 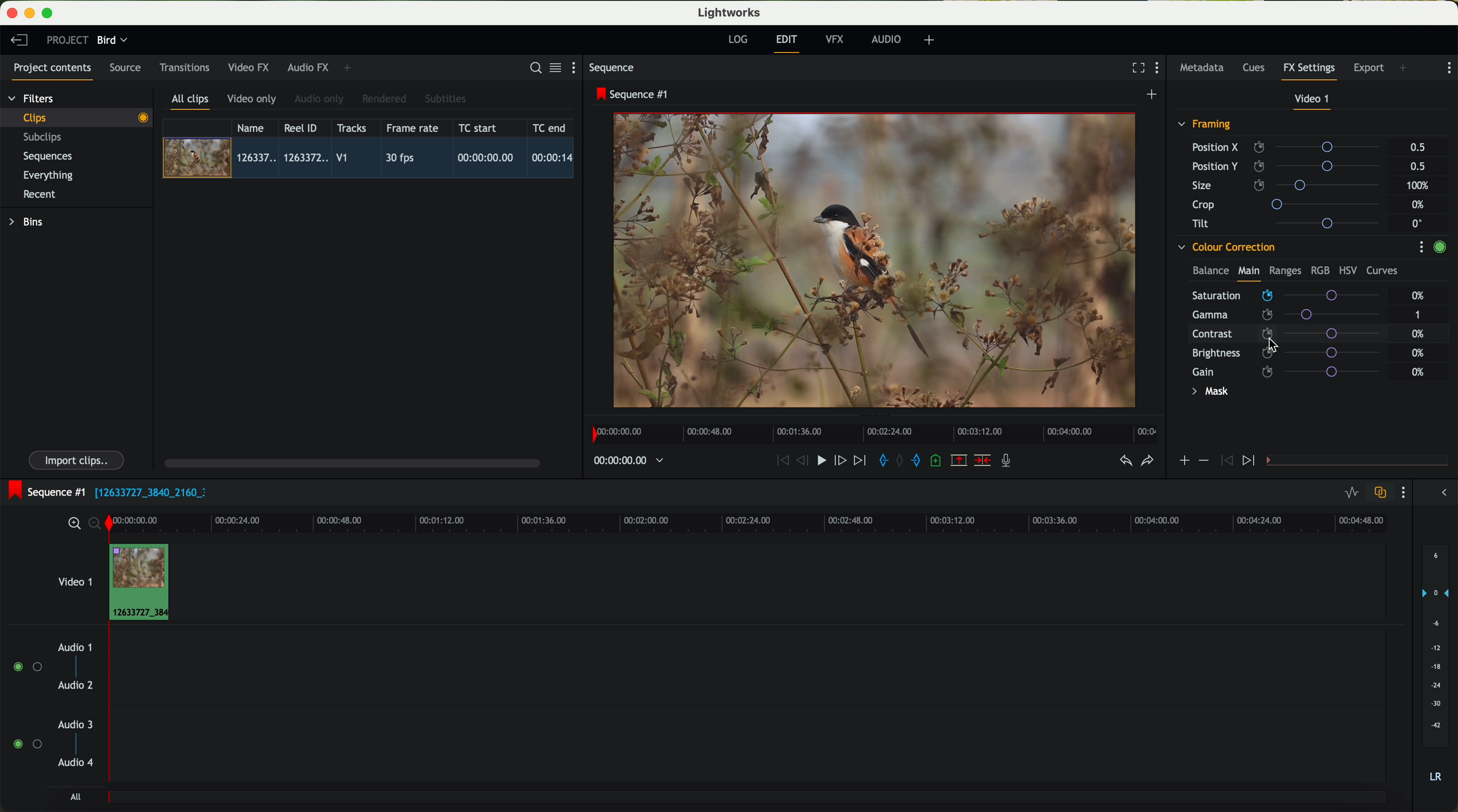 I want to click on bird, so click(x=112, y=41).